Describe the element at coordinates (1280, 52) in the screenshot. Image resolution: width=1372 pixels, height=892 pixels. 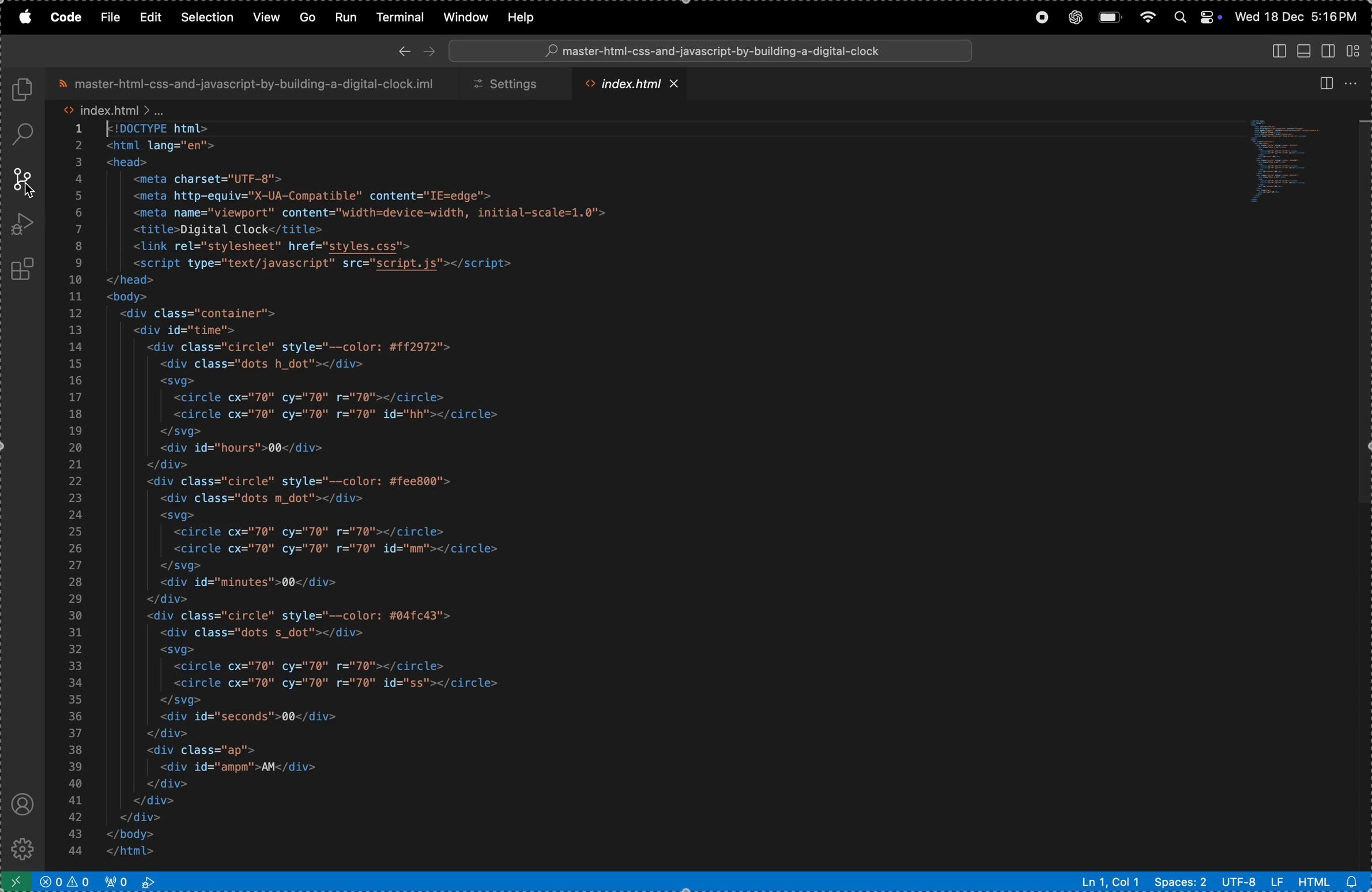
I see `primary side abar` at that location.